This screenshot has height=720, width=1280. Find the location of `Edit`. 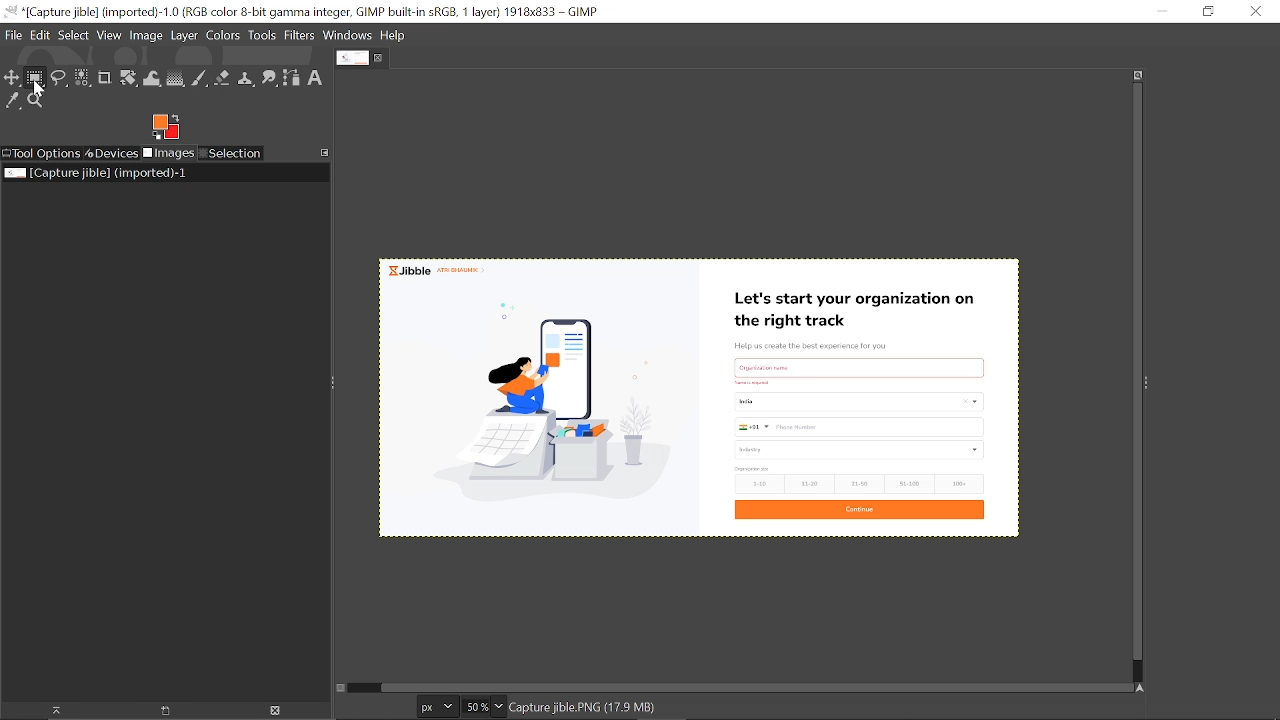

Edit is located at coordinates (40, 34).